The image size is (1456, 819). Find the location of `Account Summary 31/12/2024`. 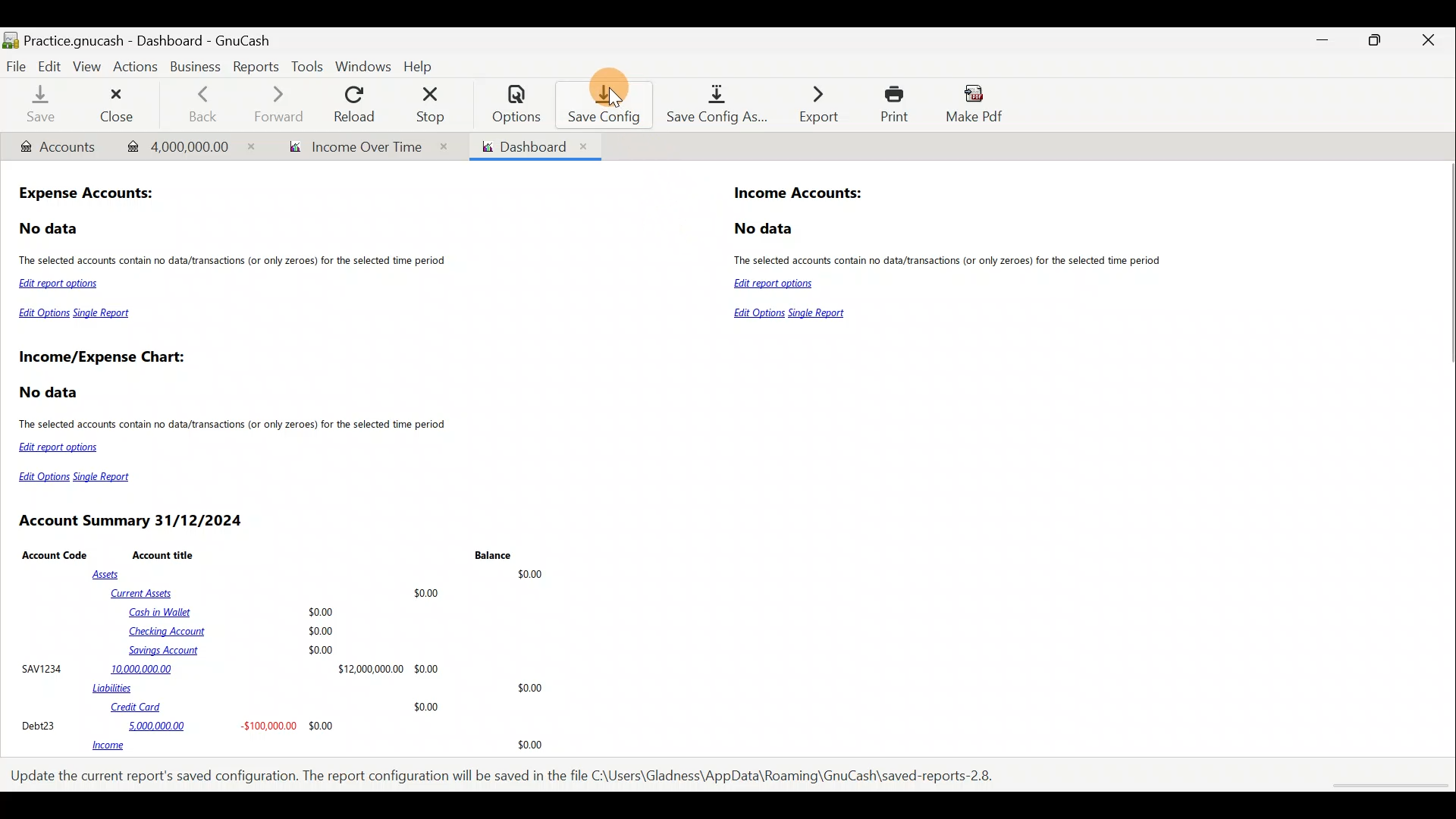

Account Summary 31/12/2024 is located at coordinates (133, 521).